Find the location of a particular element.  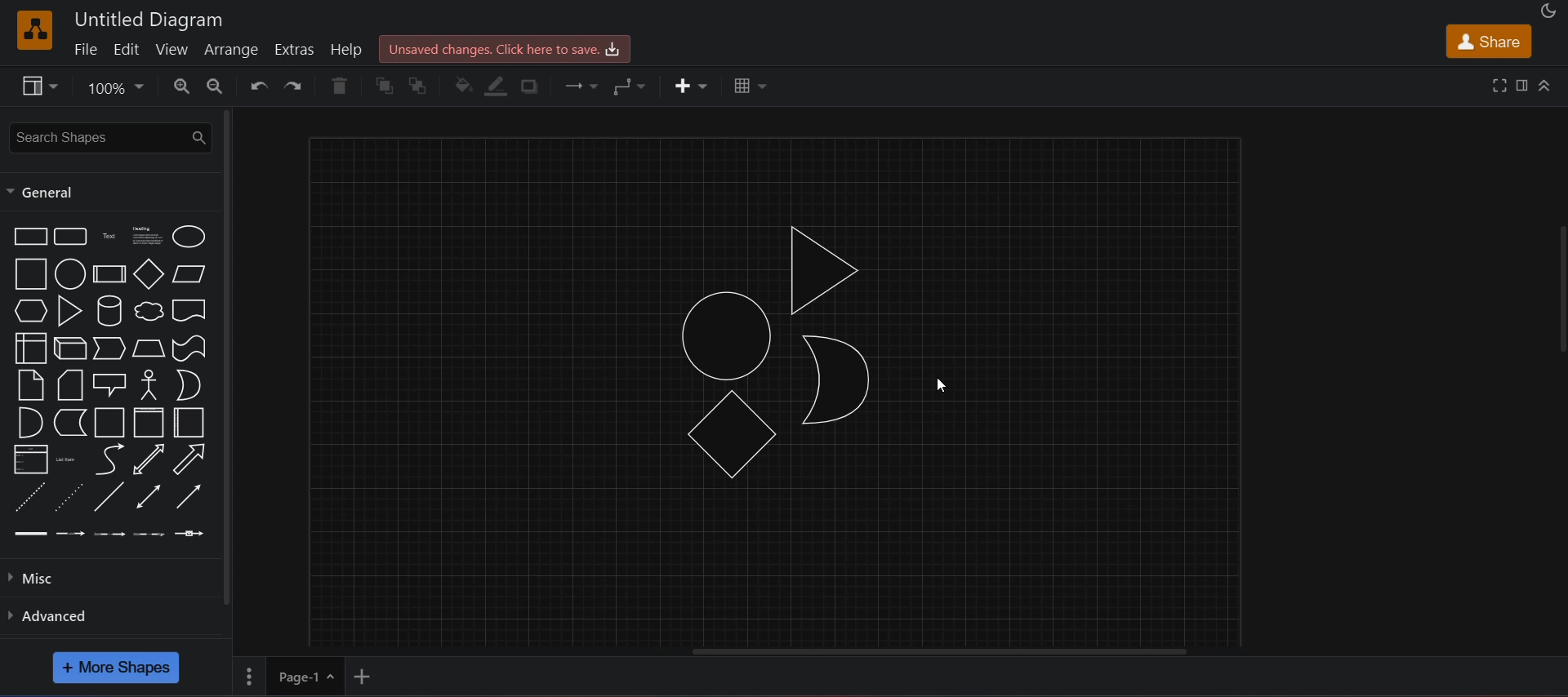

diamond is located at coordinates (148, 274).